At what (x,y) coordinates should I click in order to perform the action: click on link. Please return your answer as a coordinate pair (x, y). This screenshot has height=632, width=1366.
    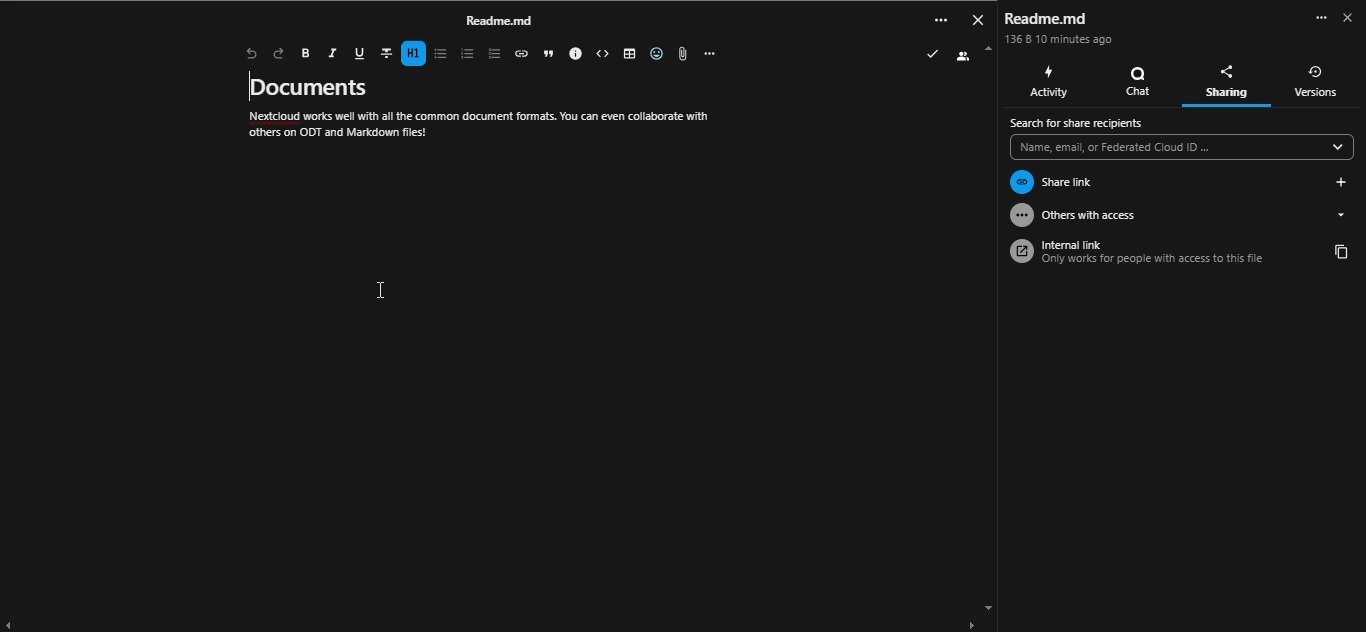
    Looking at the image, I should click on (521, 53).